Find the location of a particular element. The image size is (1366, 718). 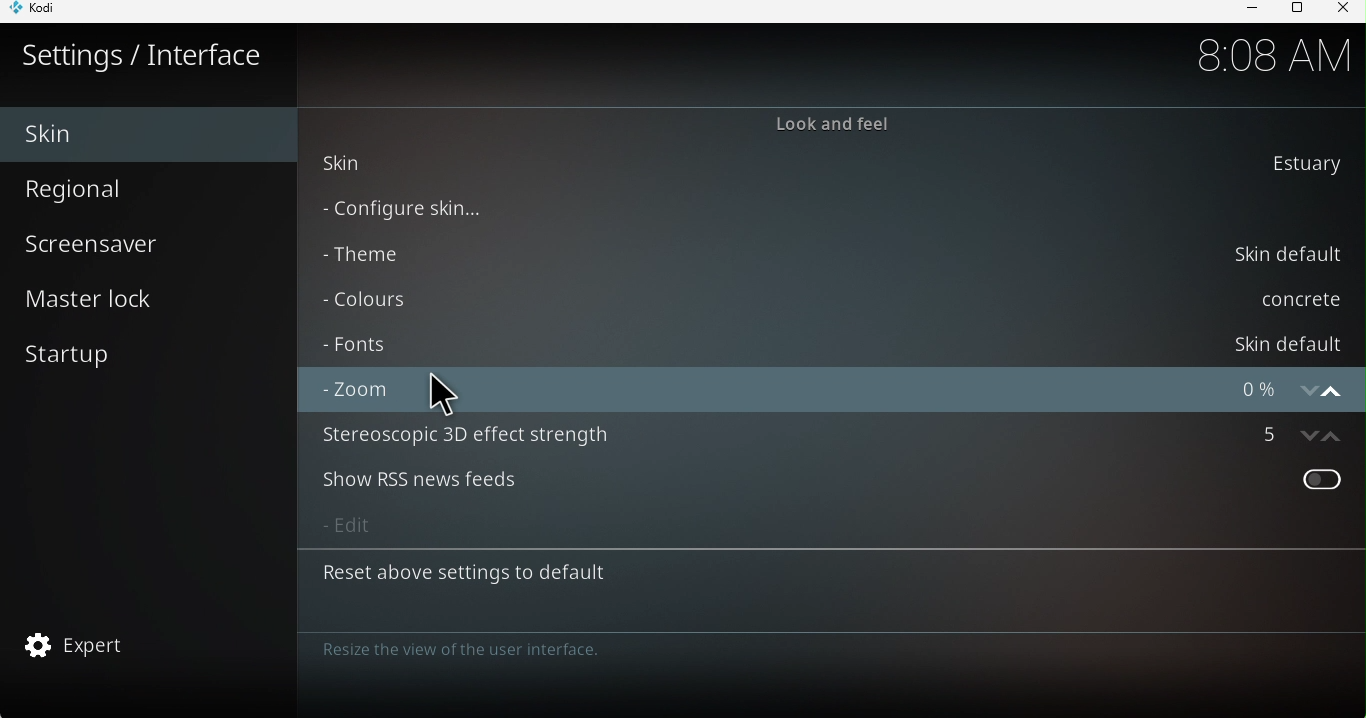

cursor is located at coordinates (442, 397).